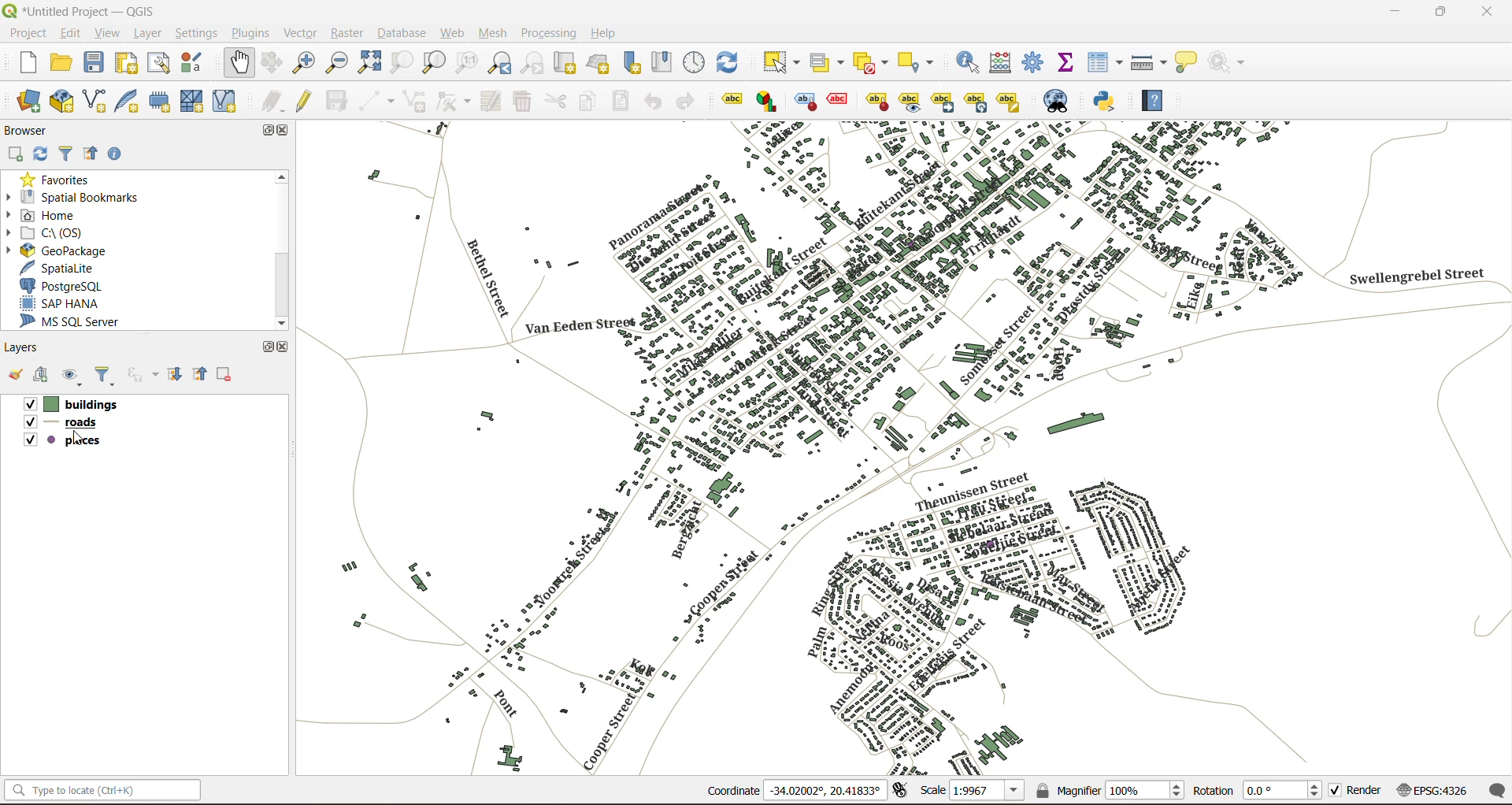  Describe the element at coordinates (377, 103) in the screenshot. I see `digitize` at that location.